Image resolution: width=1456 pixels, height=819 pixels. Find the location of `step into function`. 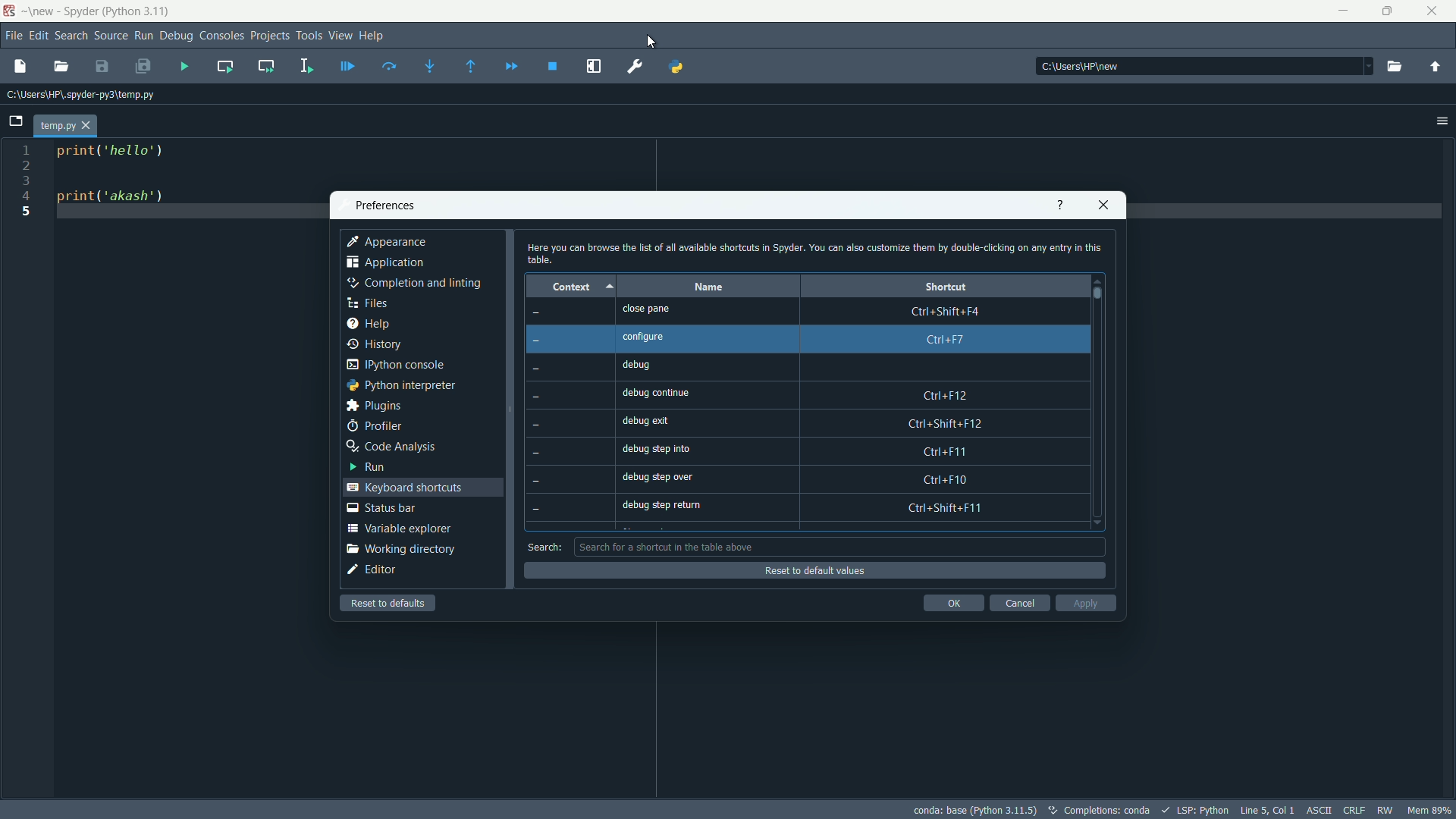

step into function is located at coordinates (430, 67).